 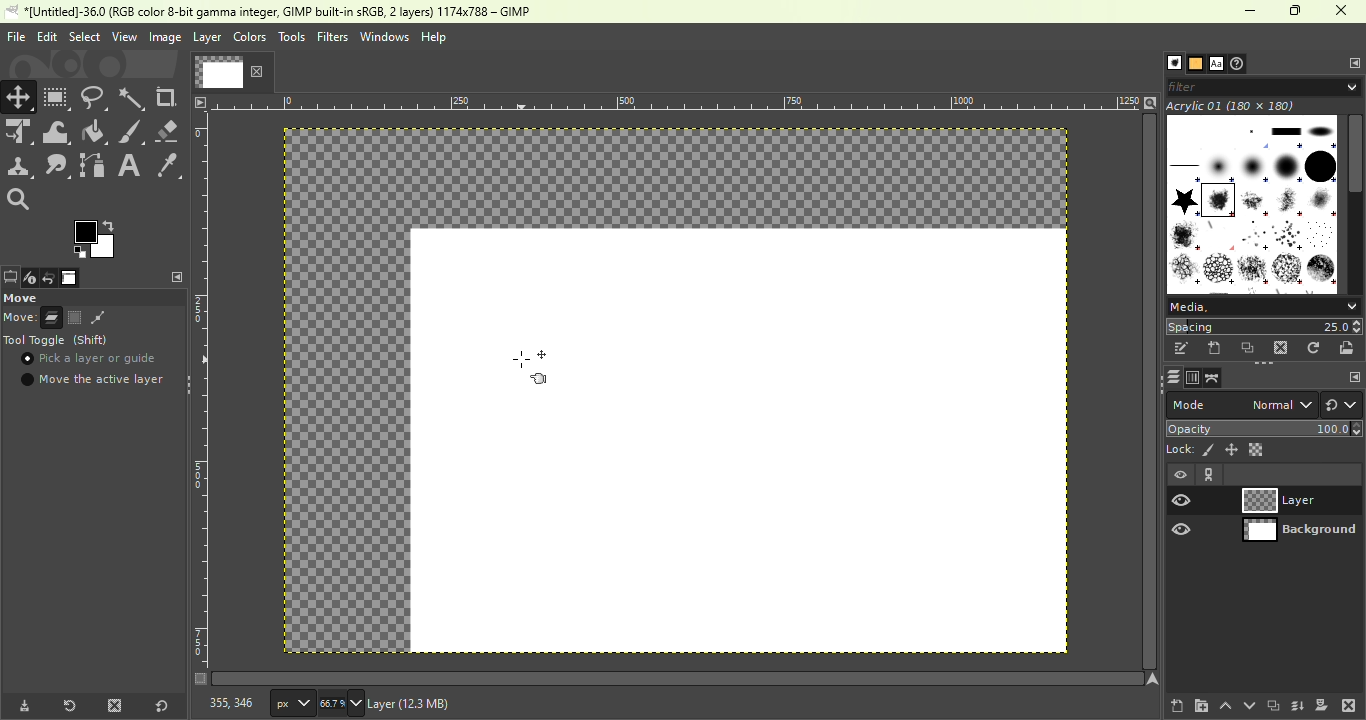 I want to click on Lock position and size, so click(x=1231, y=450).